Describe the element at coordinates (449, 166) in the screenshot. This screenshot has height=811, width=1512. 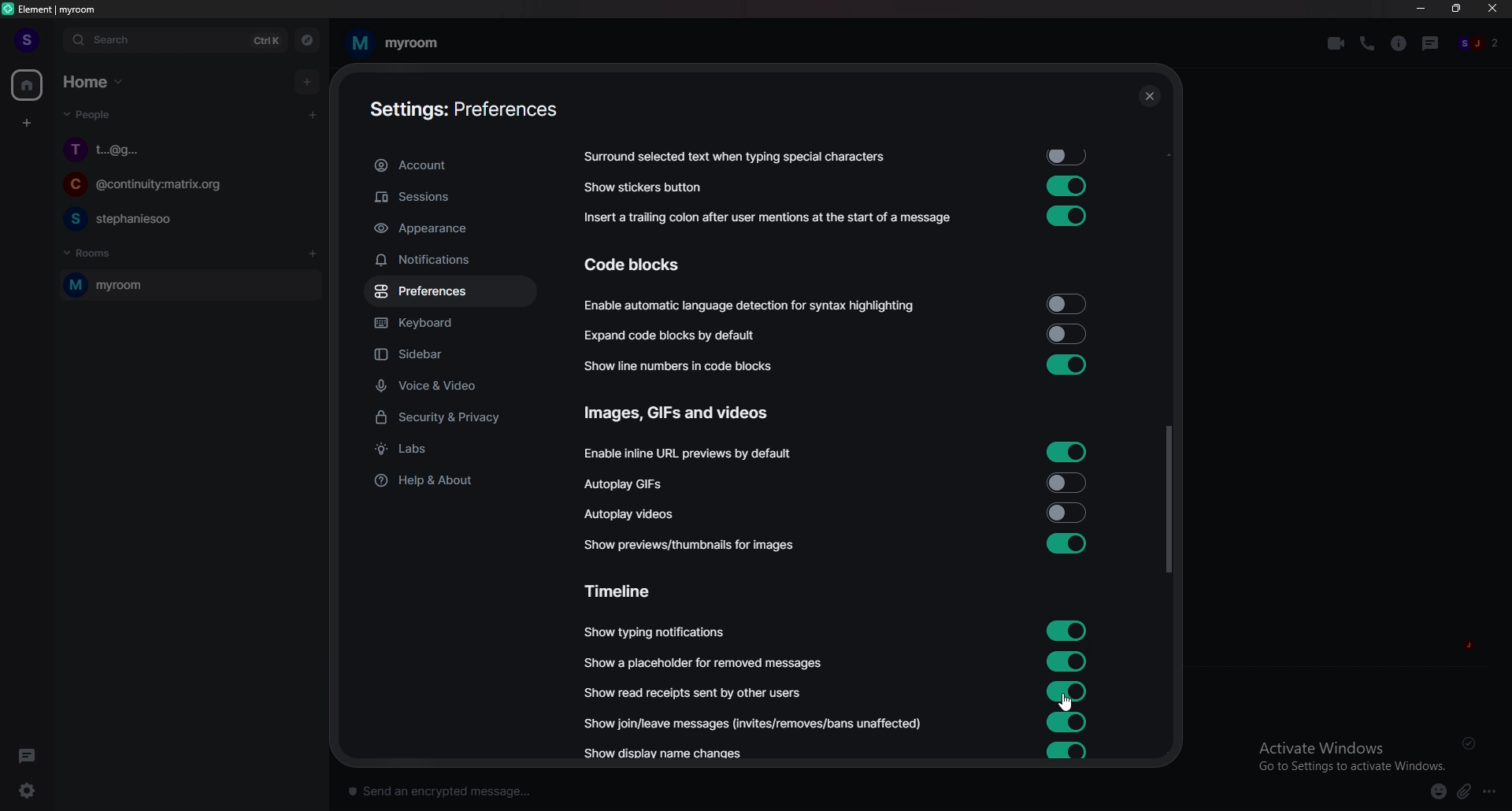
I see `account` at that location.